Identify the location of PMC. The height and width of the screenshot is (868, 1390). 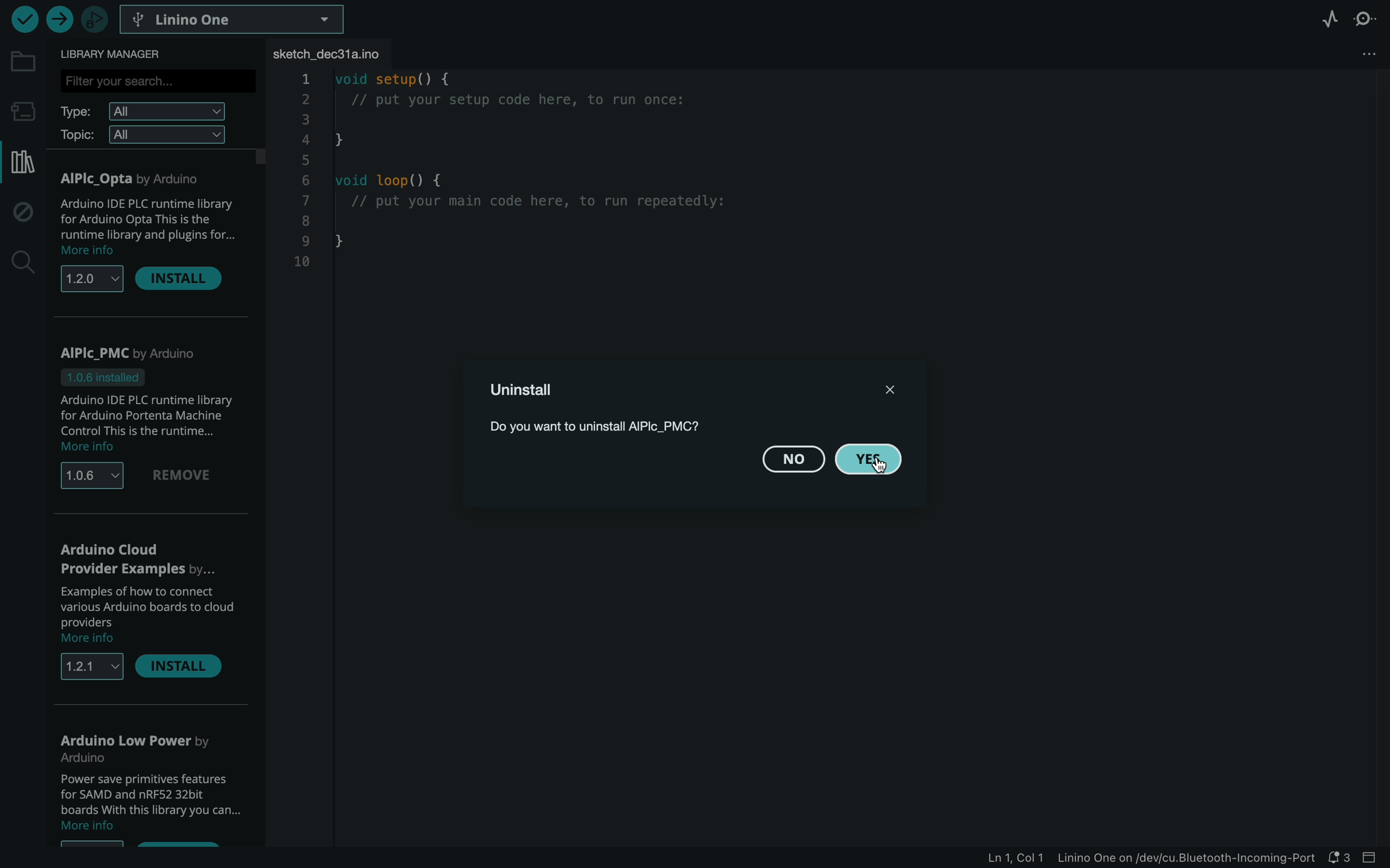
(152, 363).